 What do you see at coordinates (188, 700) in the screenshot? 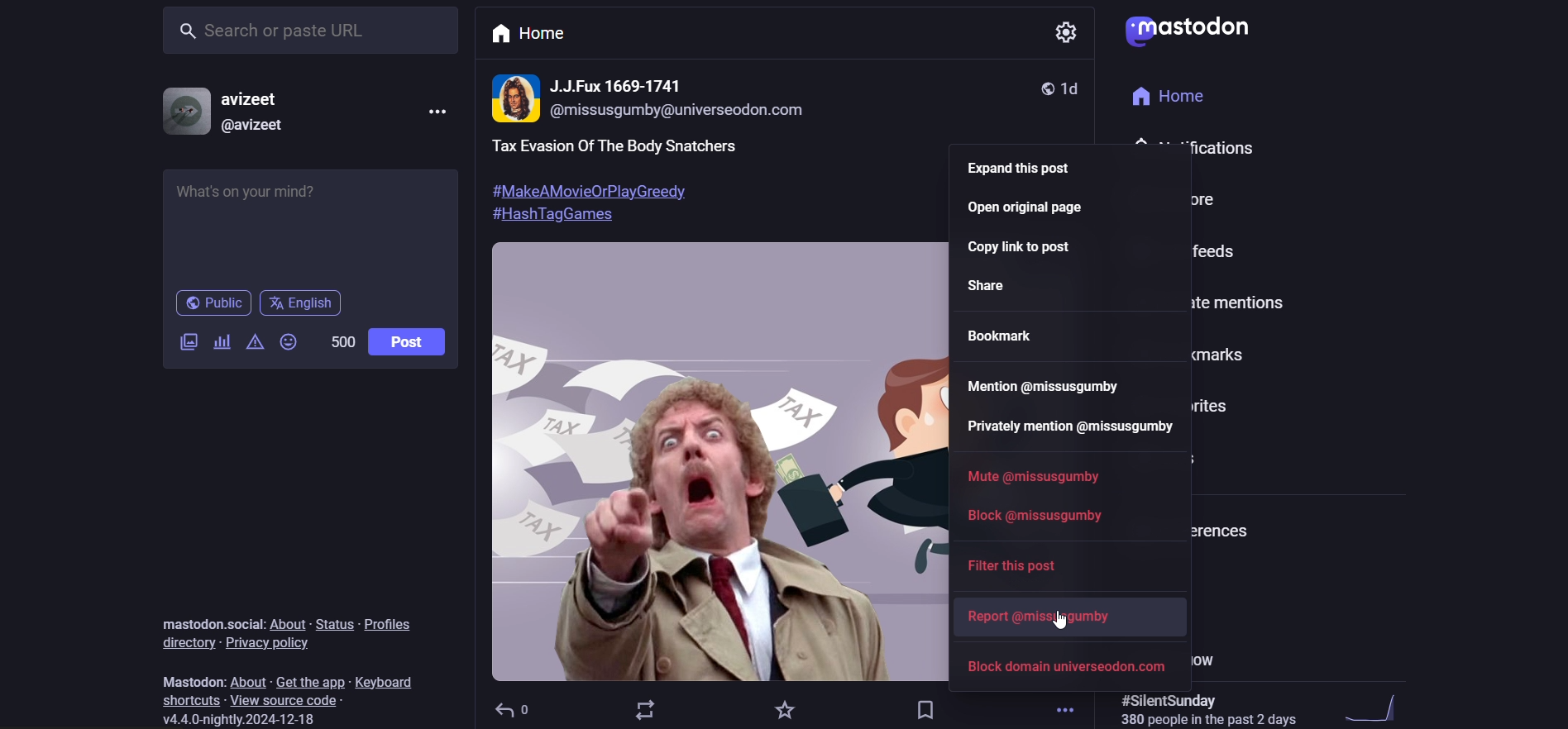
I see `shortcut` at bounding box center [188, 700].